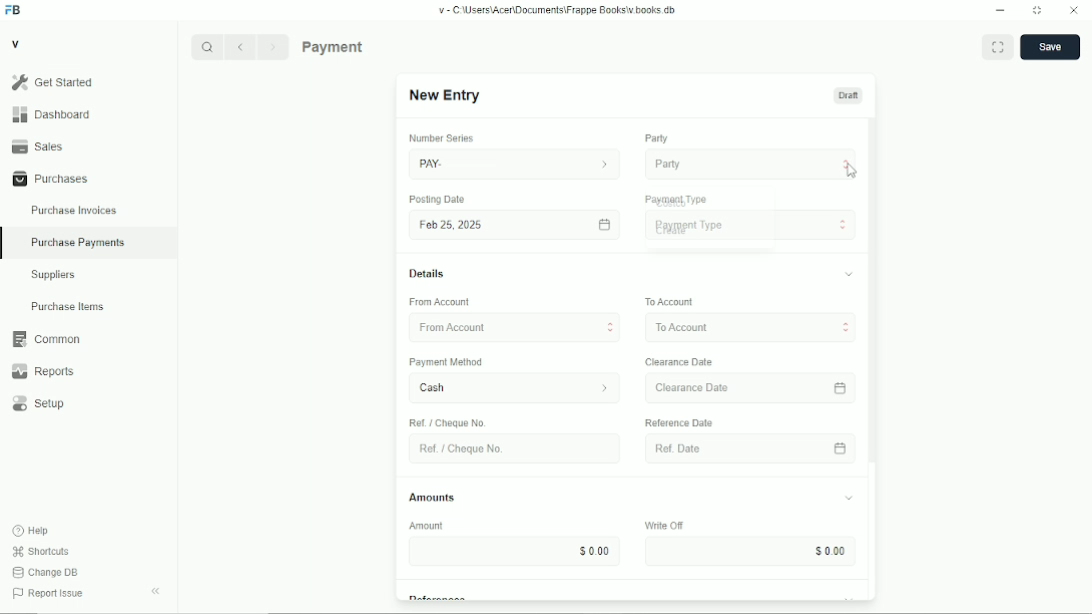 This screenshot has width=1092, height=614. I want to click on Purchases, so click(88, 178).